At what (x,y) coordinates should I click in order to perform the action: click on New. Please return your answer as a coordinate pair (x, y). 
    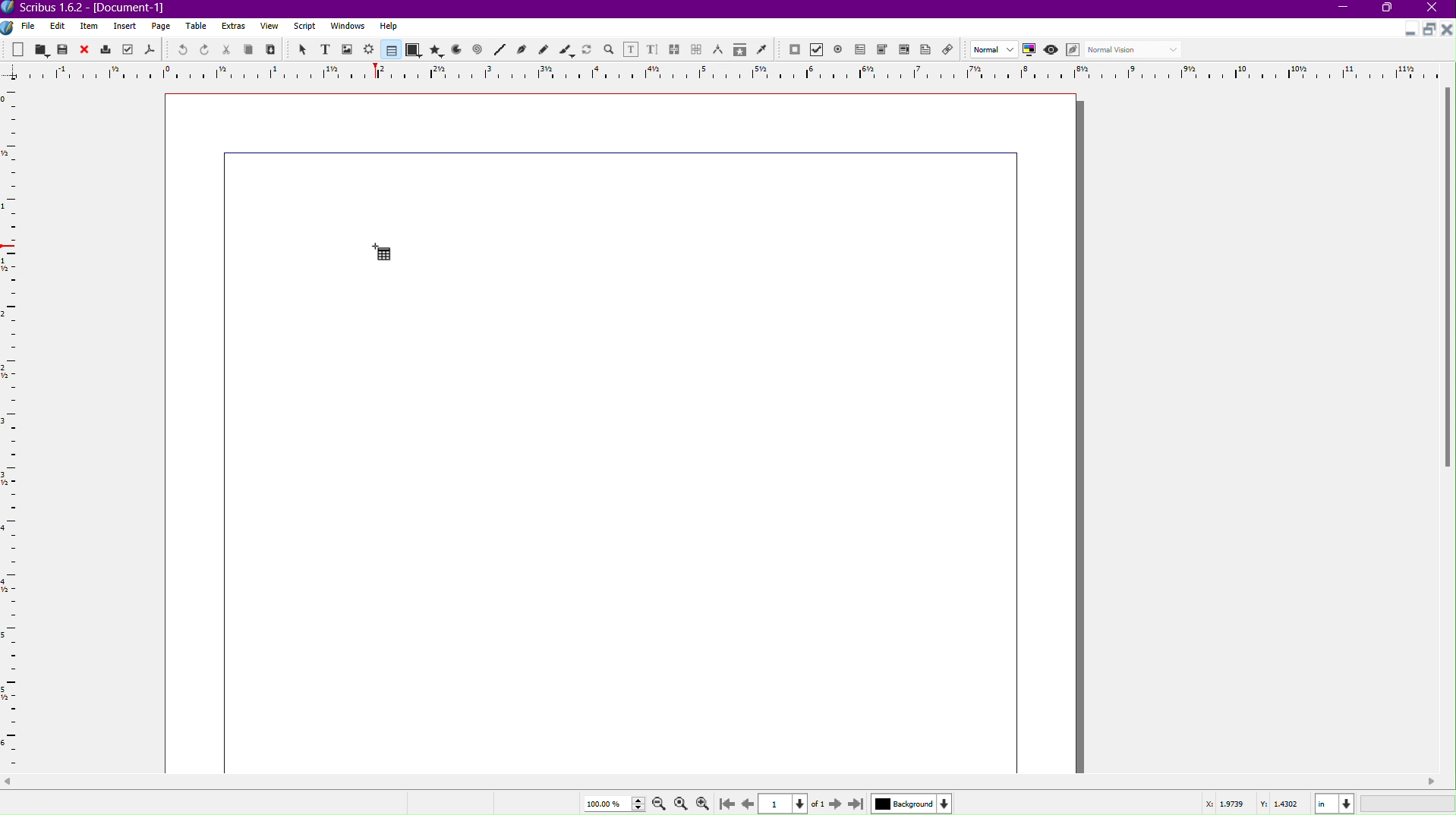
    Looking at the image, I should click on (19, 49).